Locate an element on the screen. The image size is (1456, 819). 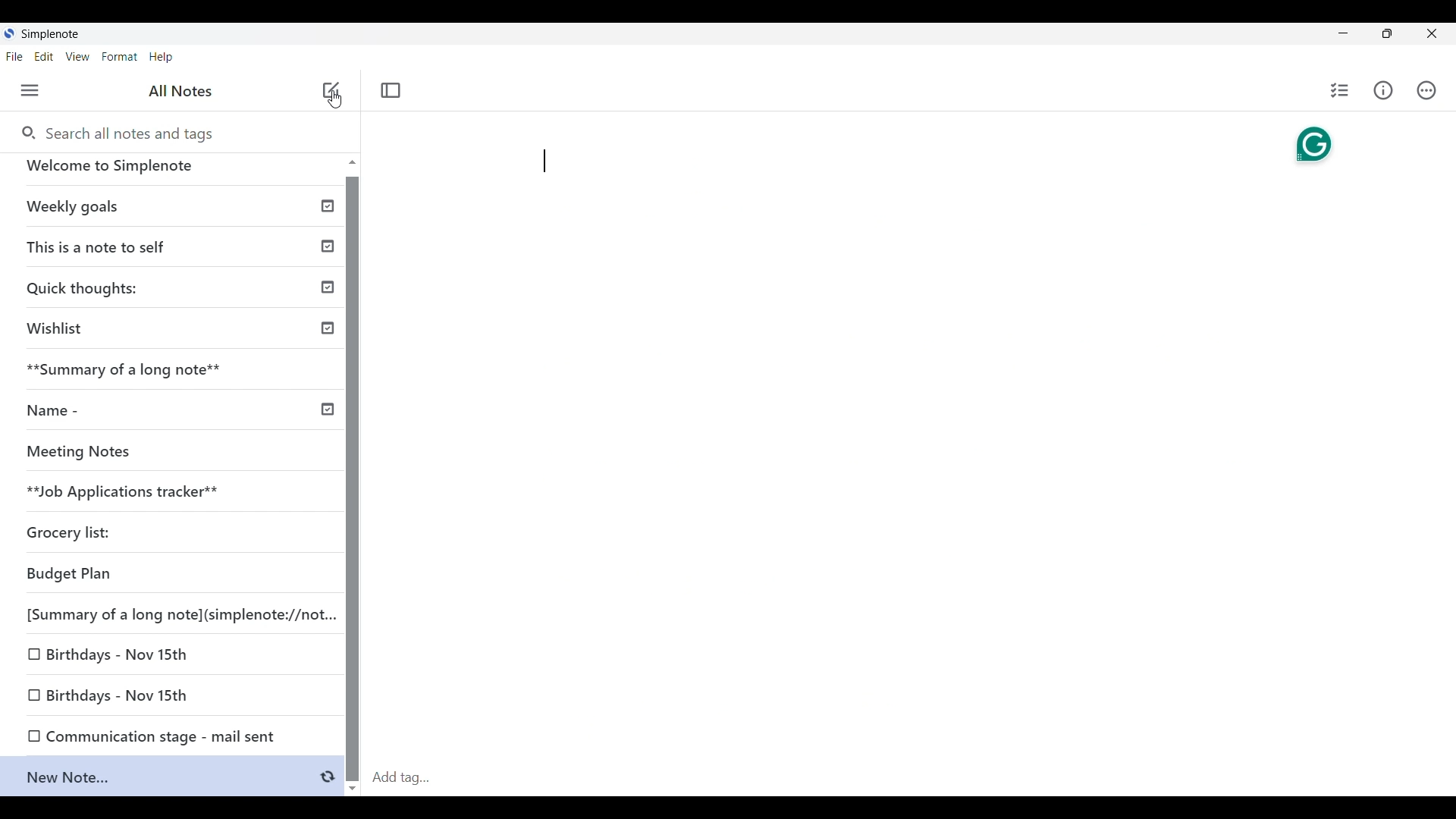
Unpublished note is located at coordinates (171, 456).